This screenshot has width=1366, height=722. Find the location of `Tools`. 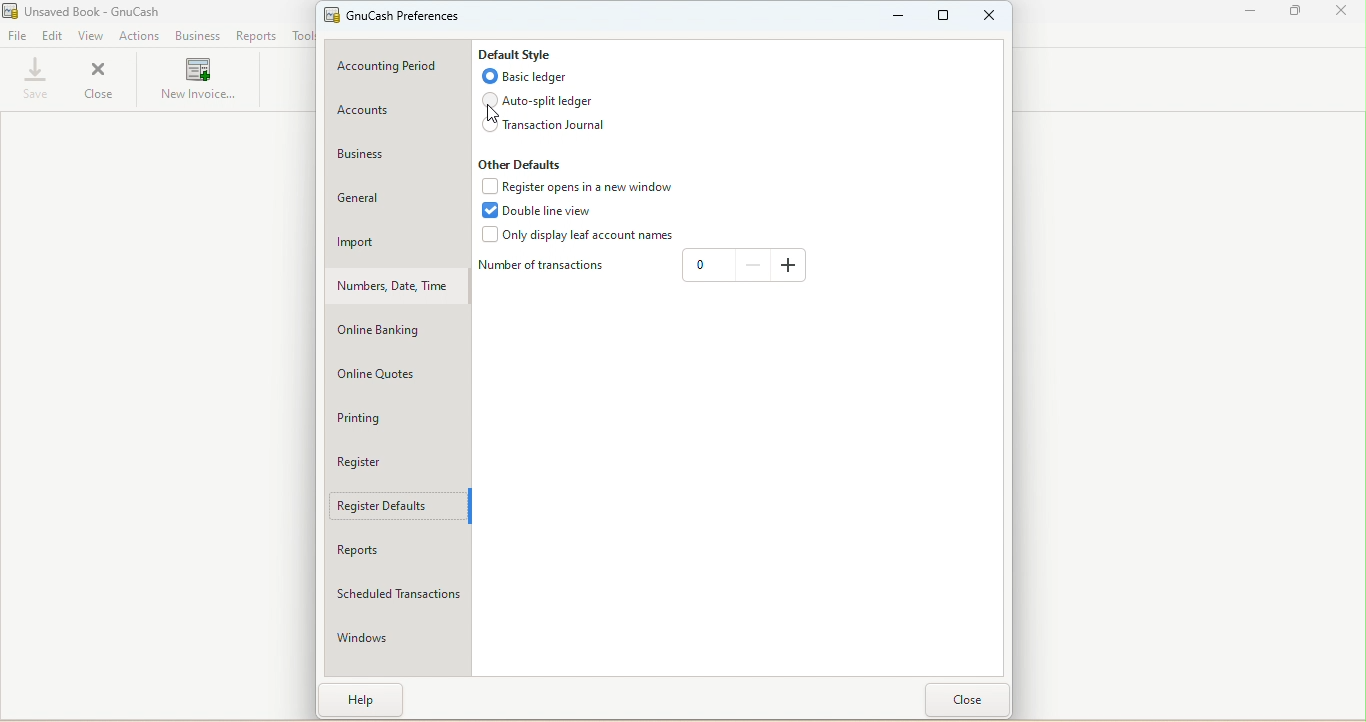

Tools is located at coordinates (302, 36).